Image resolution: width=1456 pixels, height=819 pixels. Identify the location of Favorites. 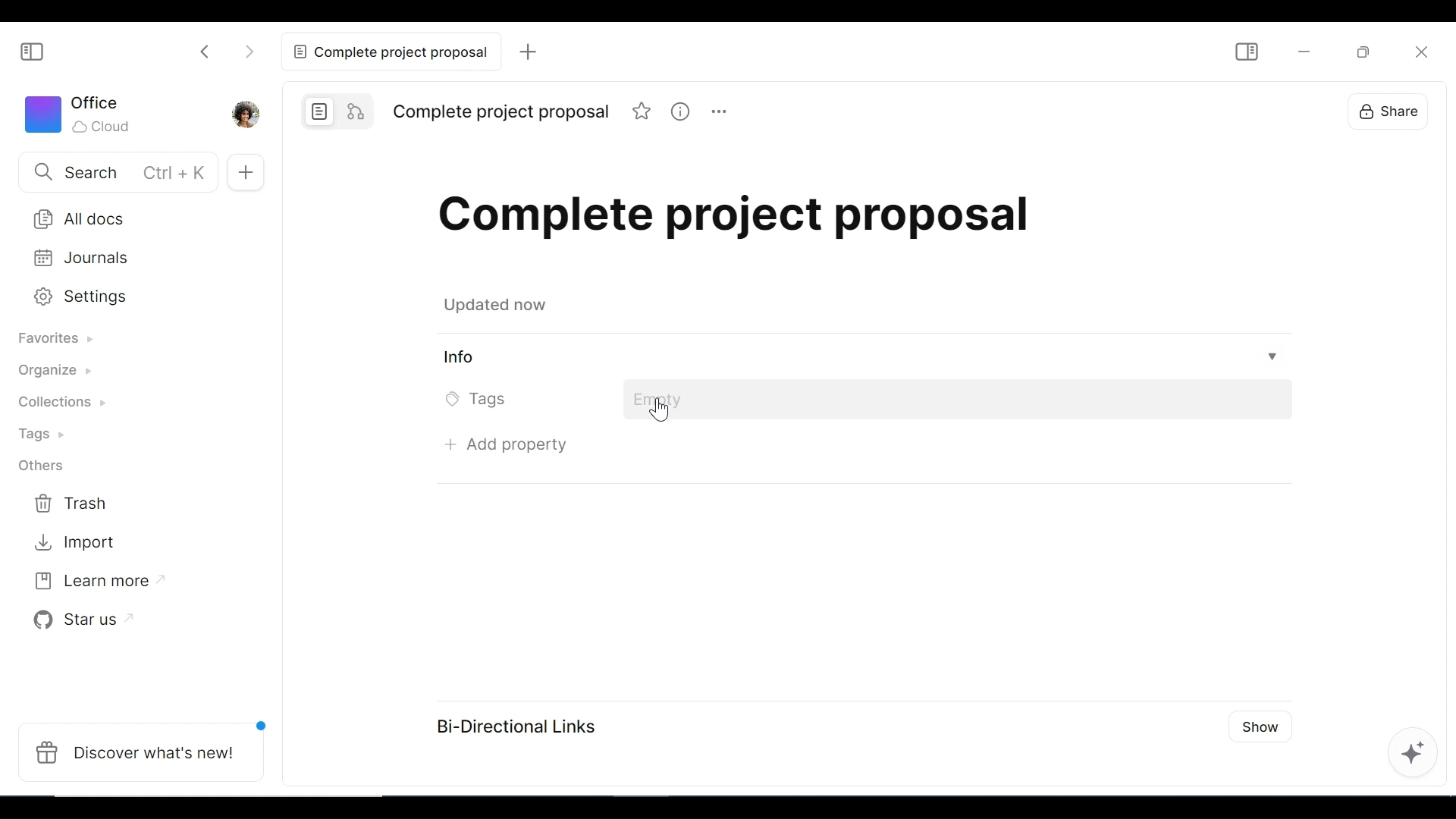
(66, 341).